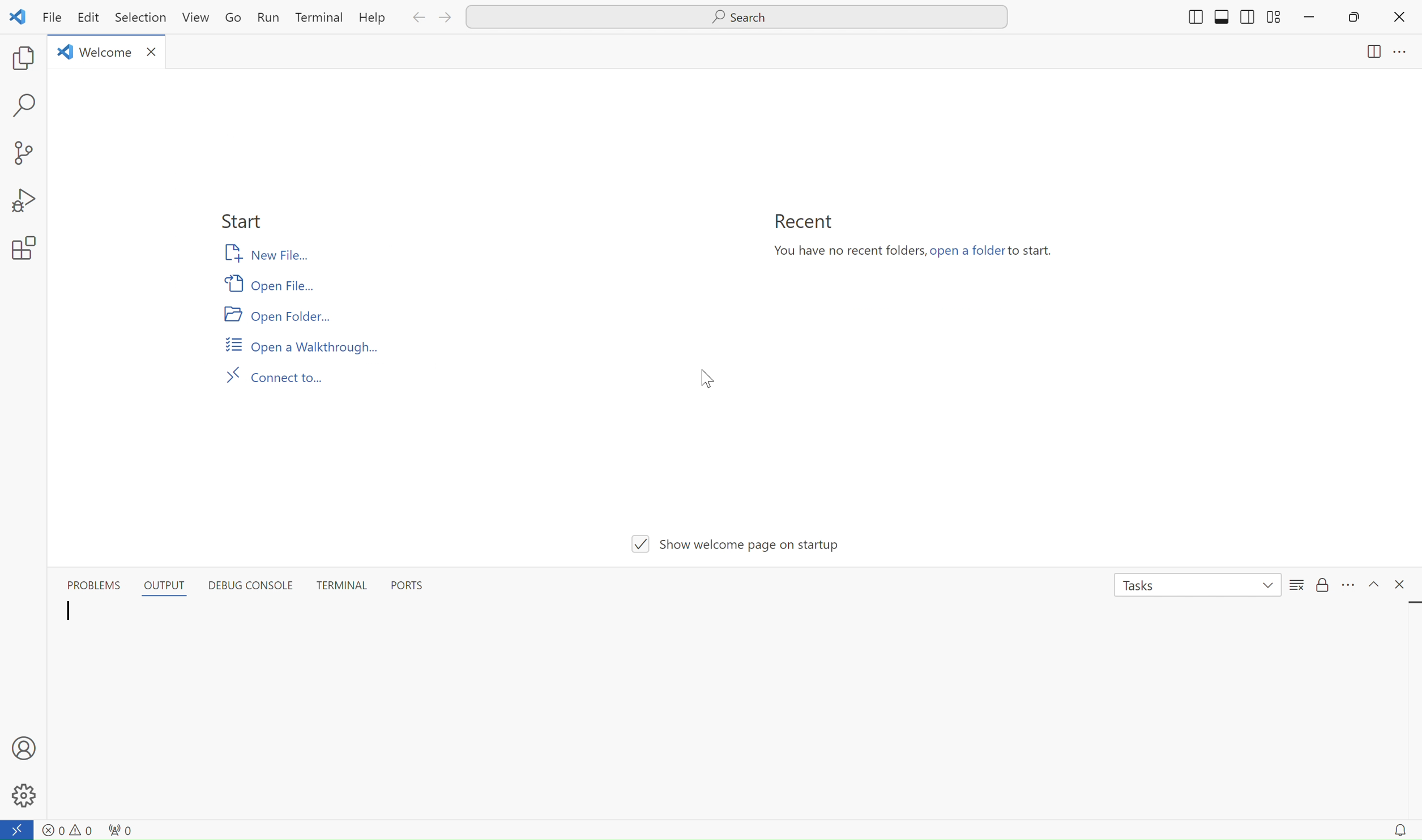  Describe the element at coordinates (1190, 590) in the screenshot. I see `tasks` at that location.